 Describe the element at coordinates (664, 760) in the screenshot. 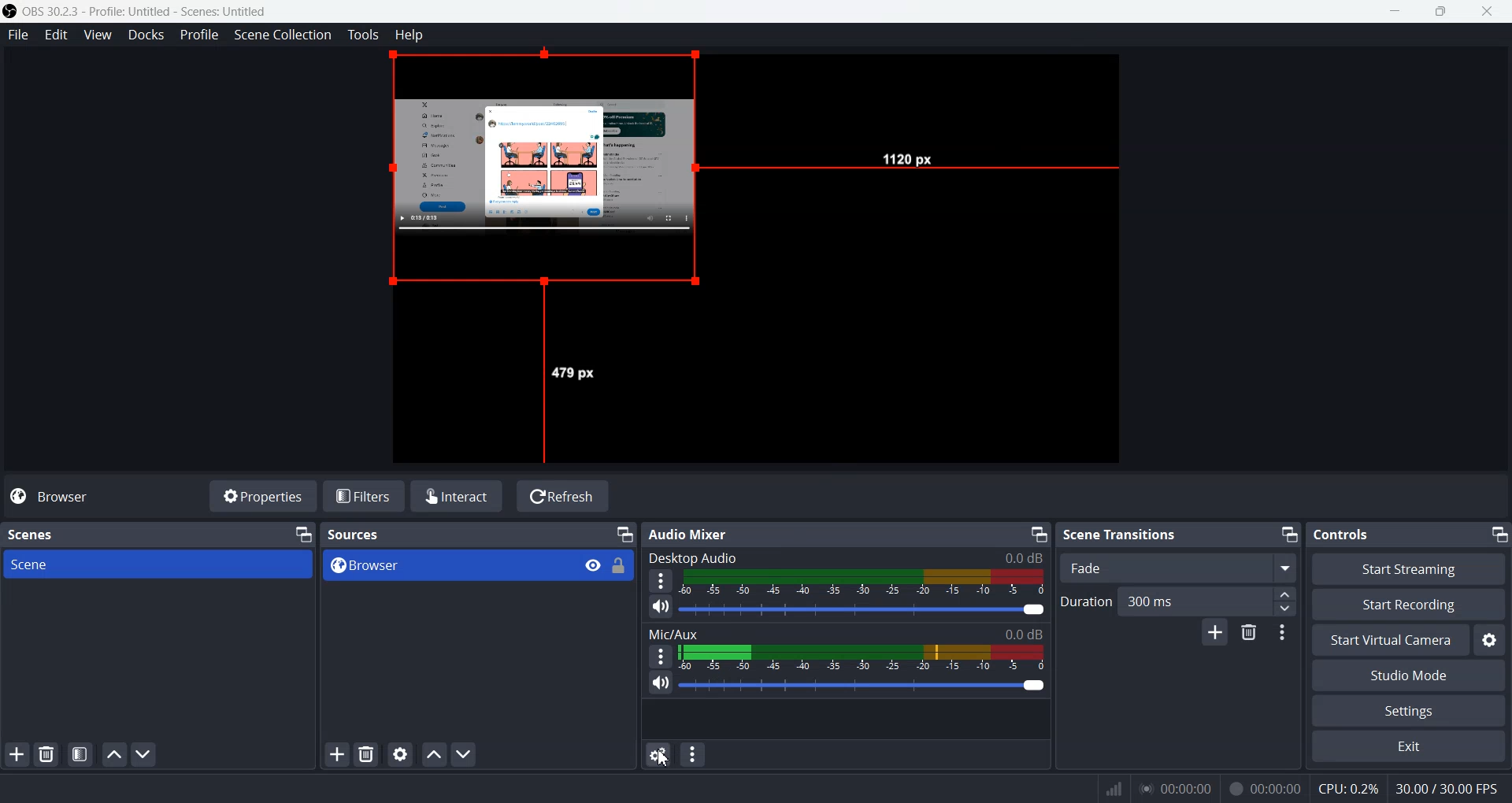

I see `Cursor` at that location.